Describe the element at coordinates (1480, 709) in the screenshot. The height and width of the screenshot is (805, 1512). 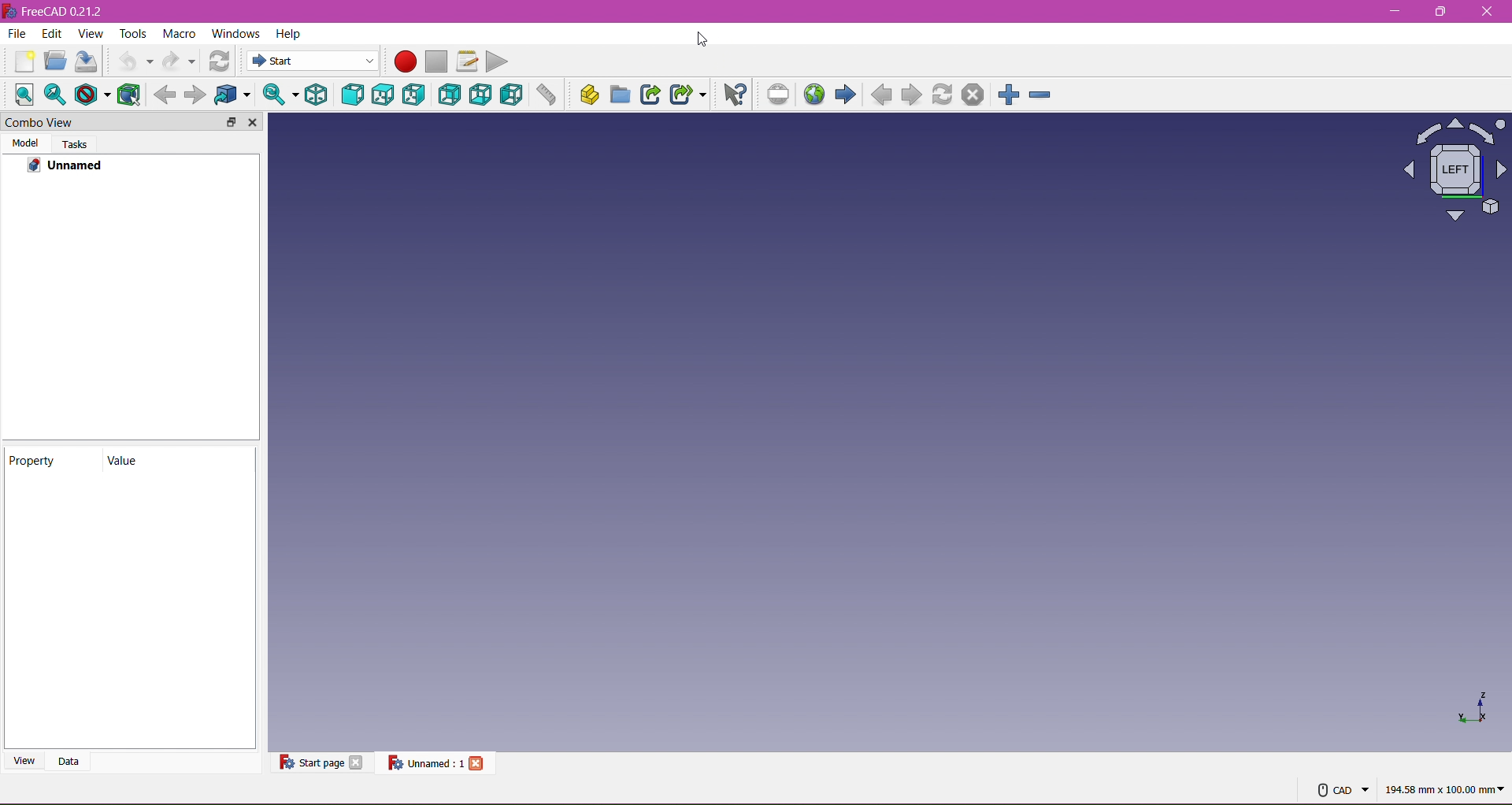
I see `Axis` at that location.